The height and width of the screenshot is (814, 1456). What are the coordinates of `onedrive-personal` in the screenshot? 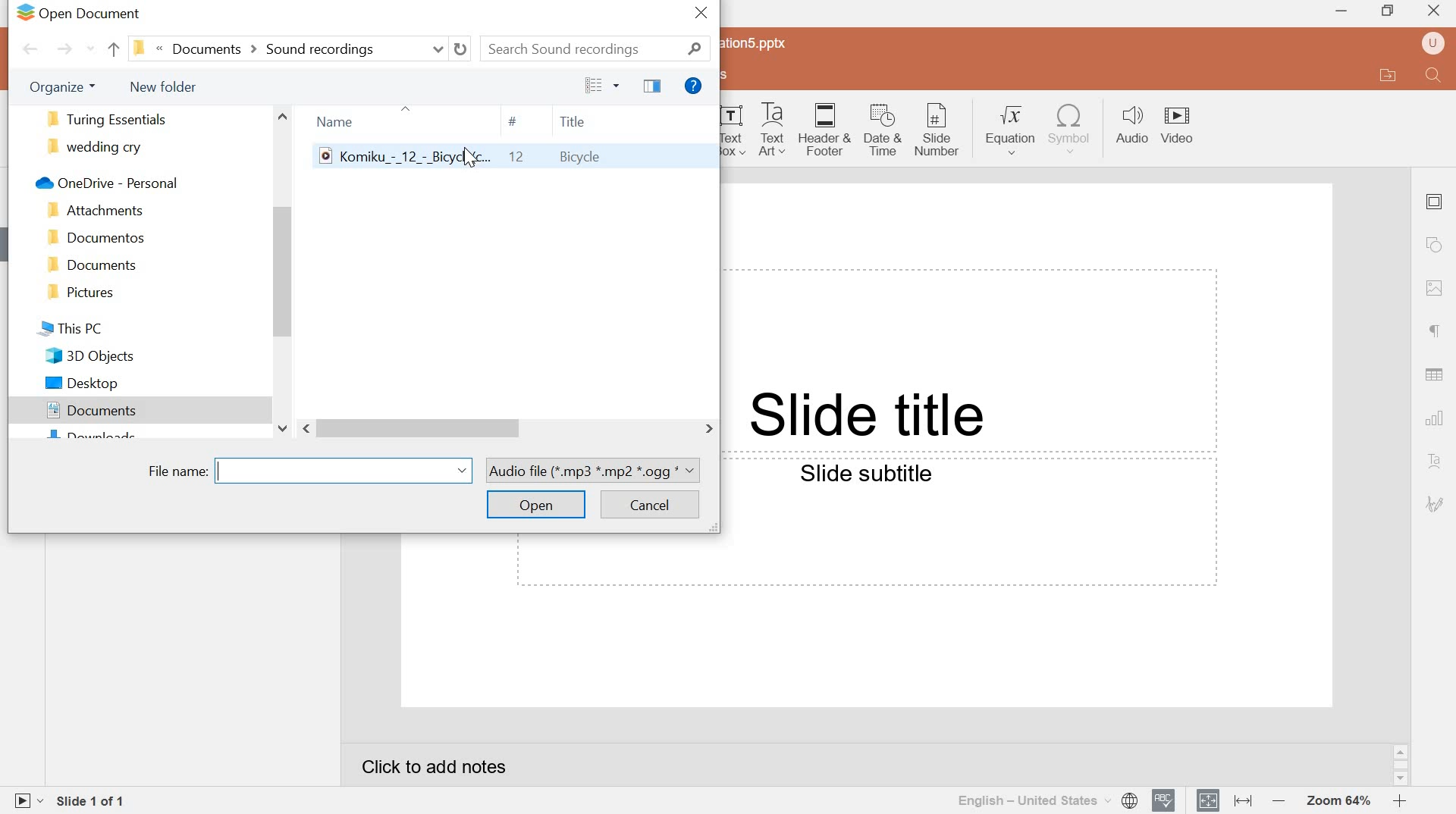 It's located at (104, 183).